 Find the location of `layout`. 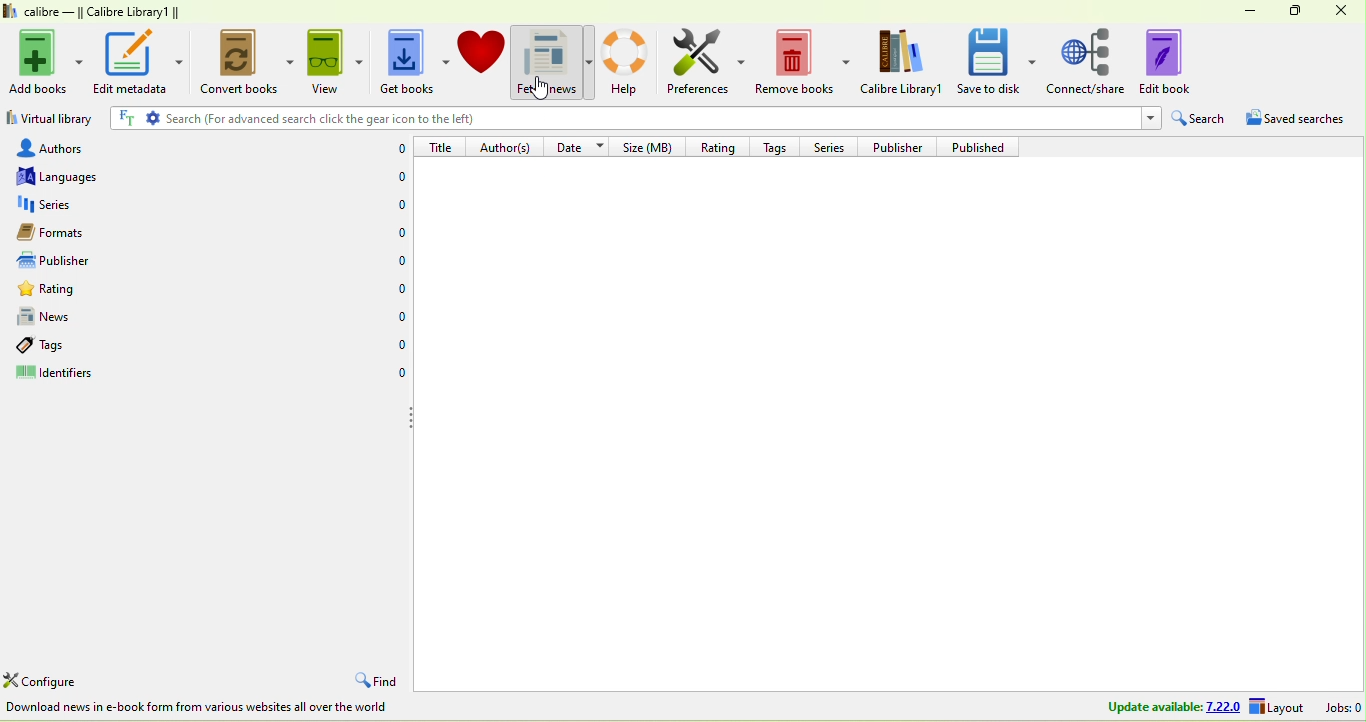

layout is located at coordinates (1278, 705).